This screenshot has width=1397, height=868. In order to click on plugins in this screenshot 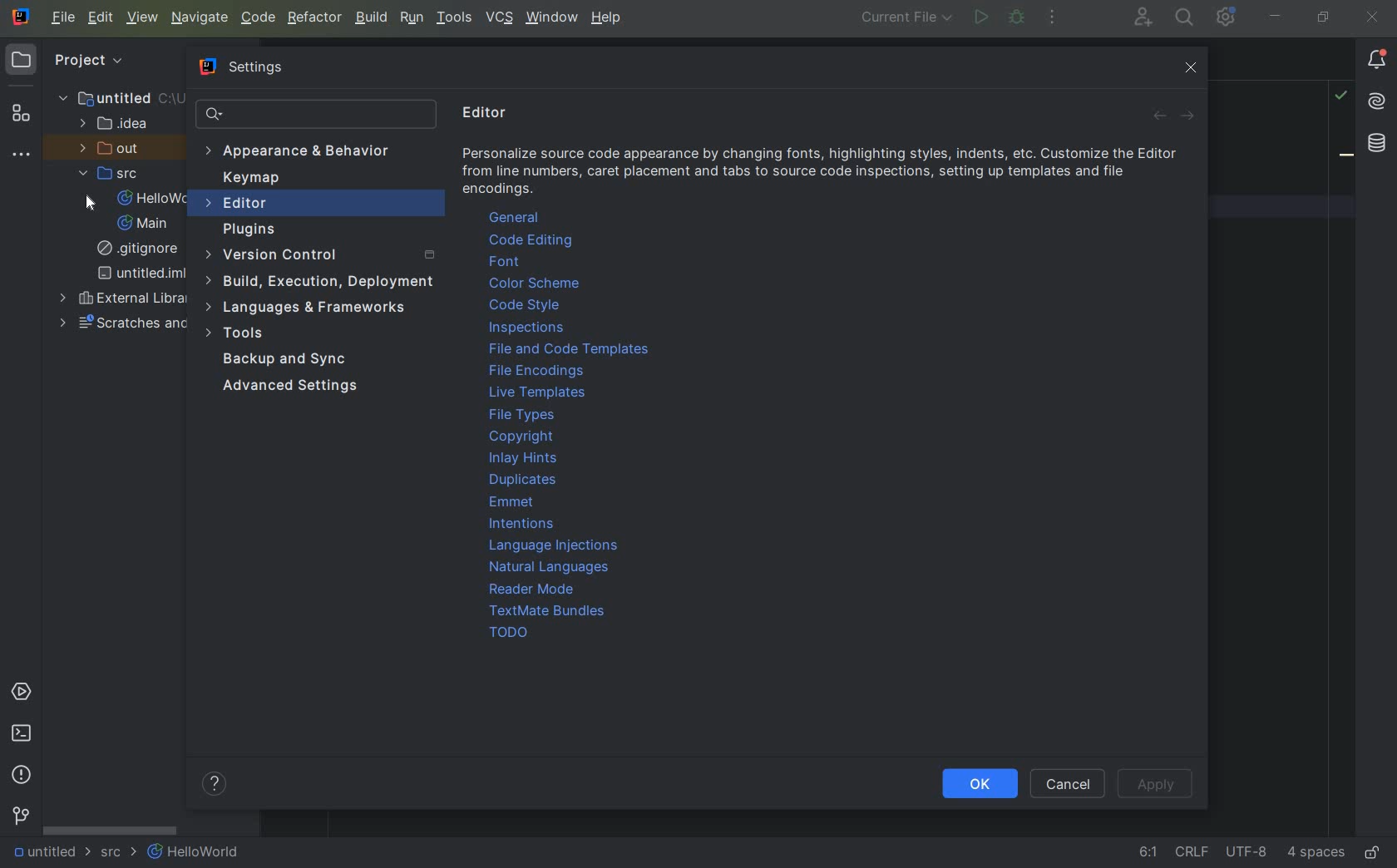, I will do `click(238, 230)`.